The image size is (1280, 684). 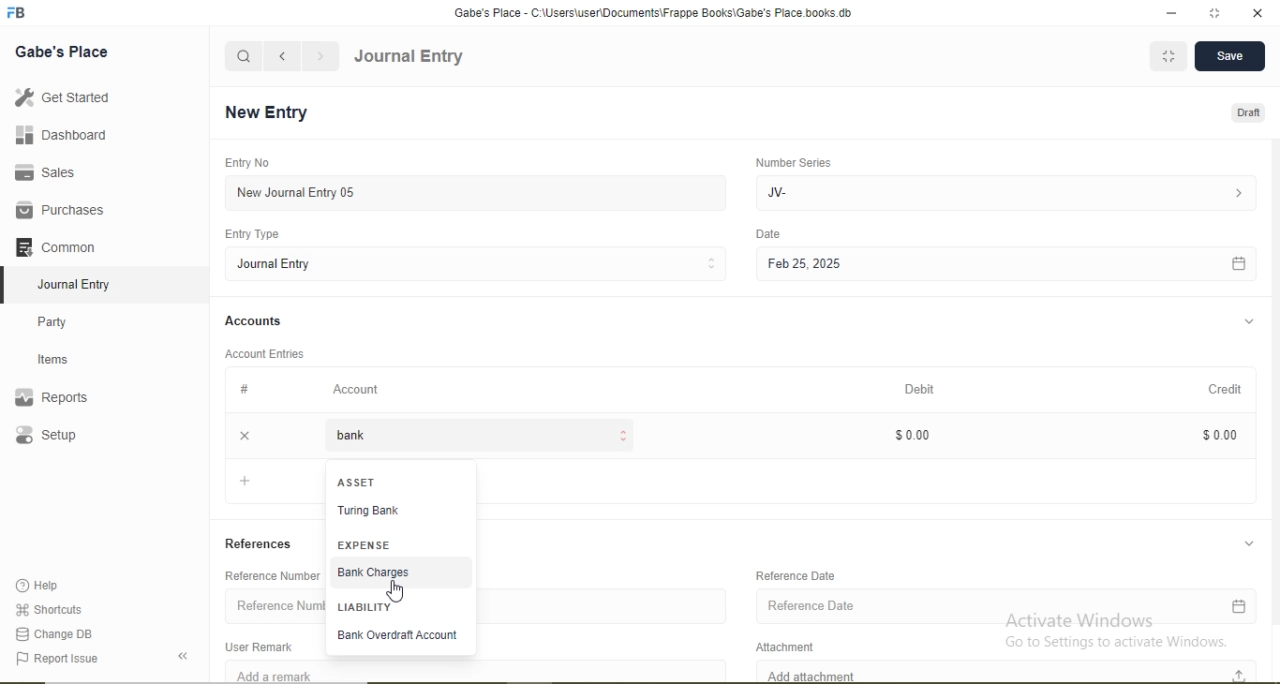 I want to click on Accounts., so click(x=254, y=321).